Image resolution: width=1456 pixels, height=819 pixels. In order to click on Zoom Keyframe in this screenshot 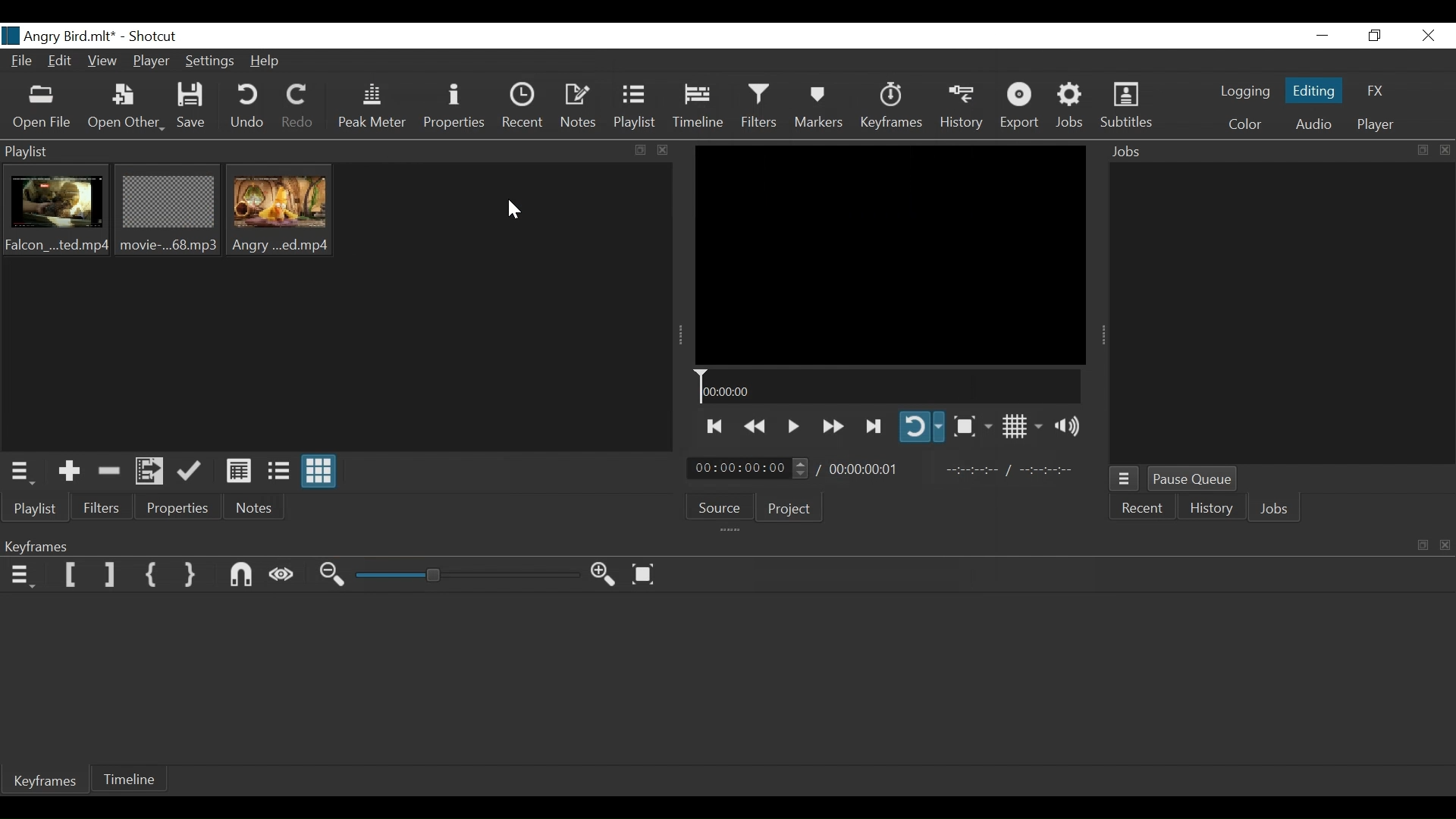, I will do `click(469, 575)`.